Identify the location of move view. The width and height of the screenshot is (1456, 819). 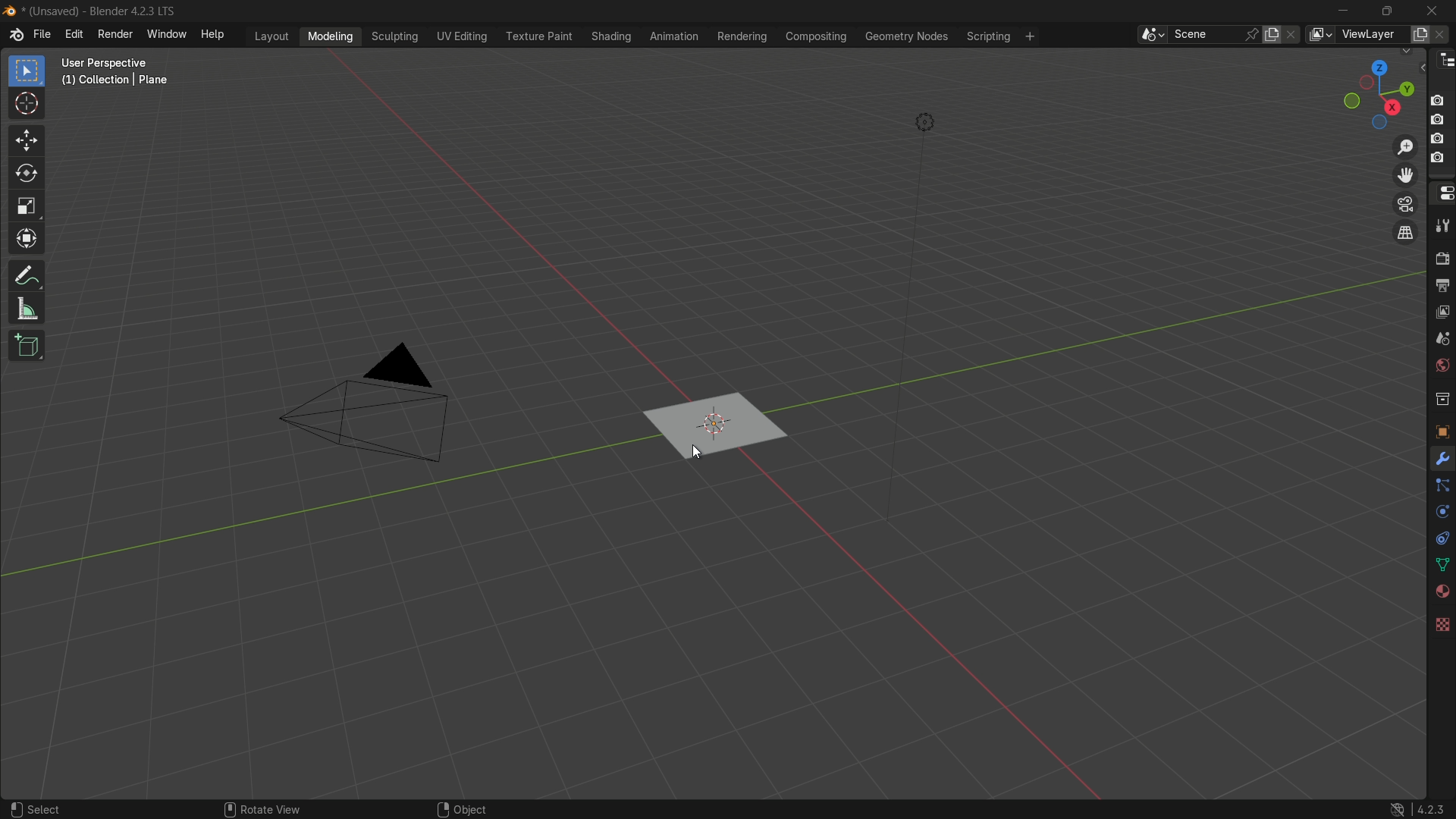
(1406, 176).